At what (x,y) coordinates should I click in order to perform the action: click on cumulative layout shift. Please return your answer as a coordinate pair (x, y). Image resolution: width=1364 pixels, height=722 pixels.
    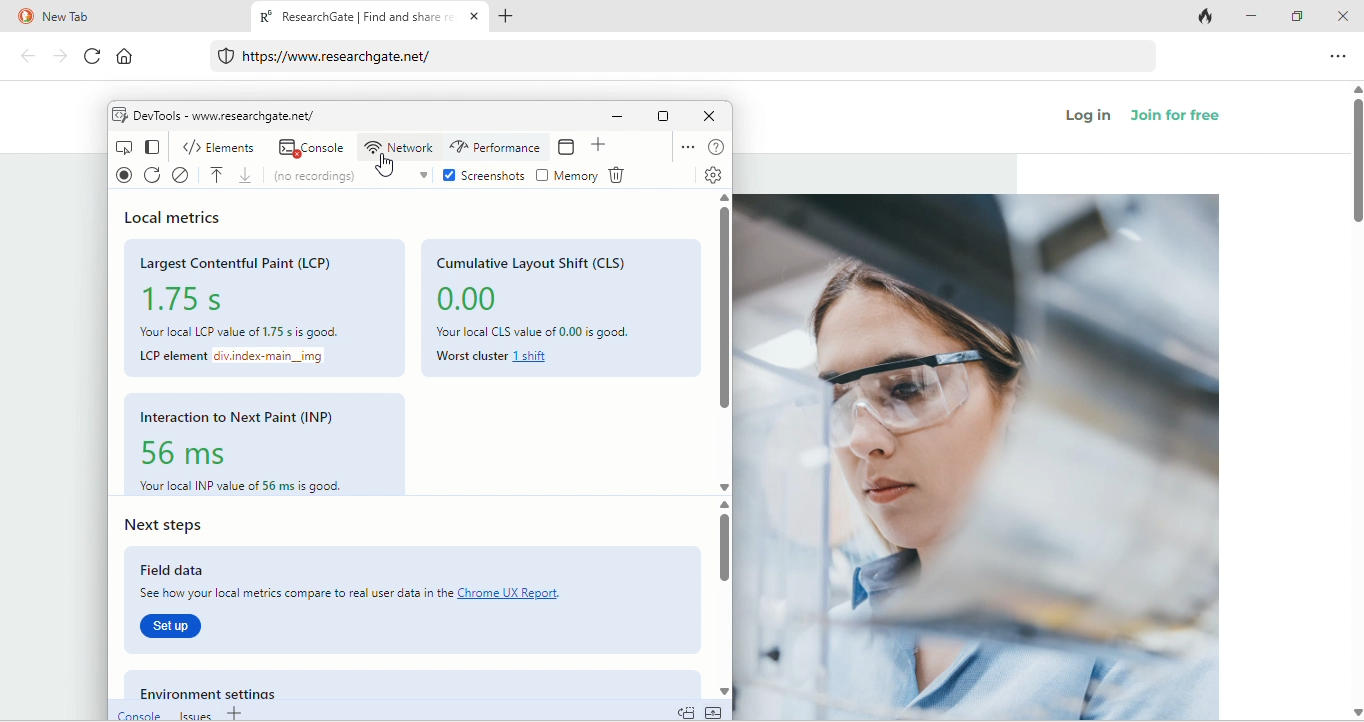
    Looking at the image, I should click on (534, 260).